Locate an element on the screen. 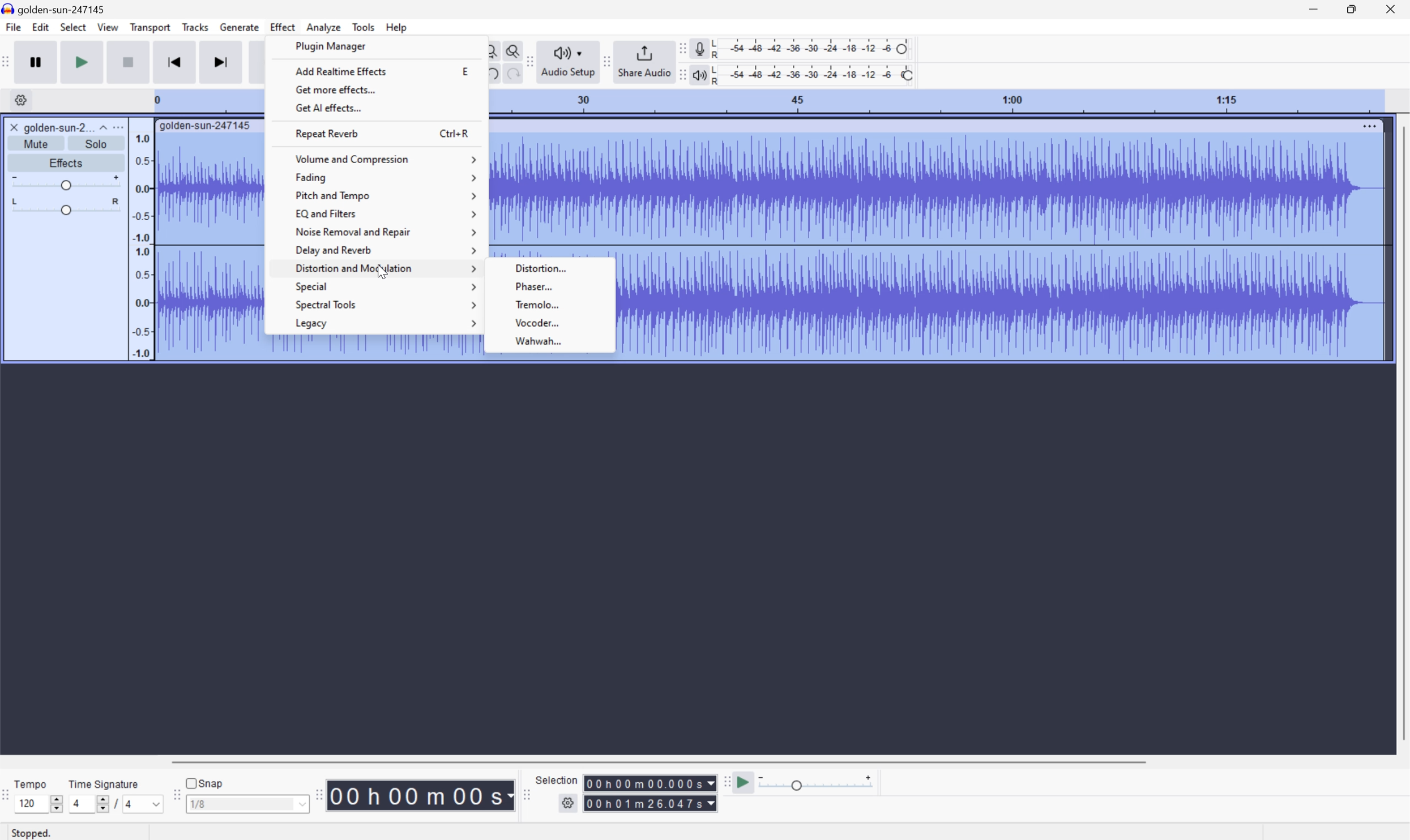  Audacity Time Signature Toolbar is located at coordinates (9, 798).